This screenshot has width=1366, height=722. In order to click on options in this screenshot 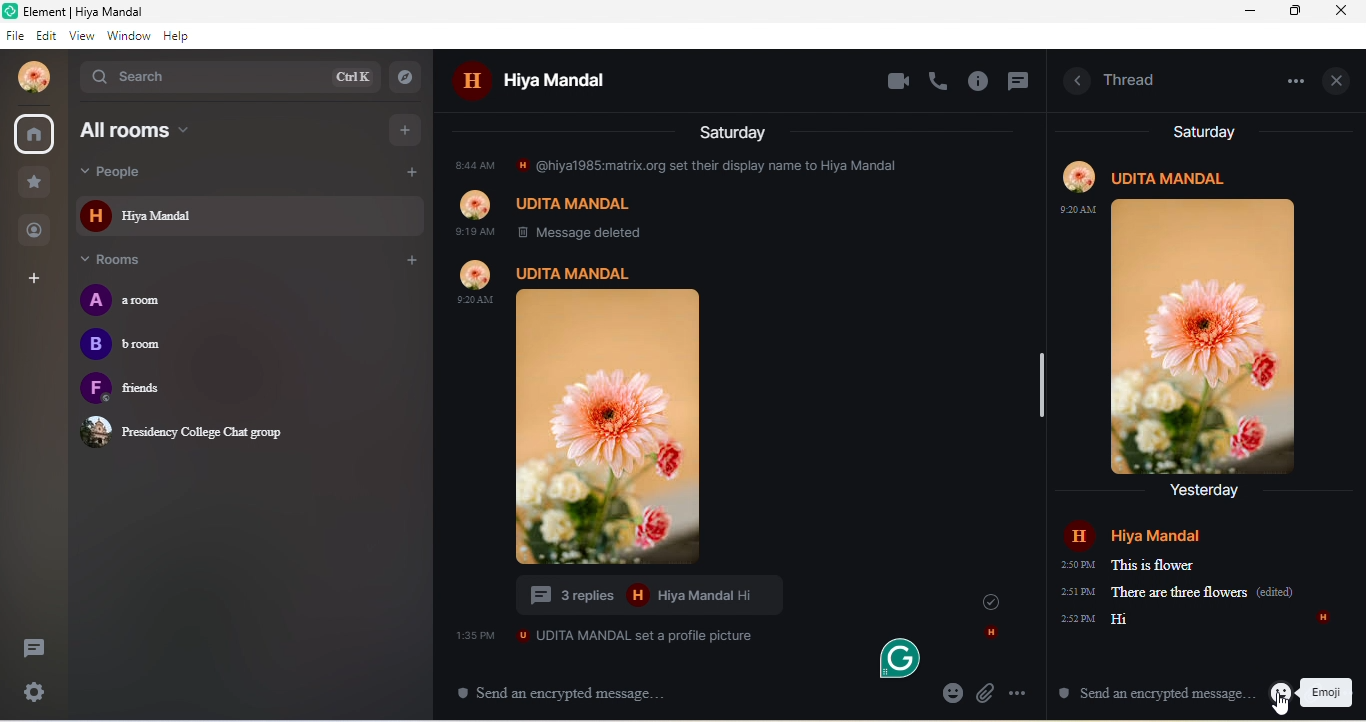, I will do `click(1020, 691)`.